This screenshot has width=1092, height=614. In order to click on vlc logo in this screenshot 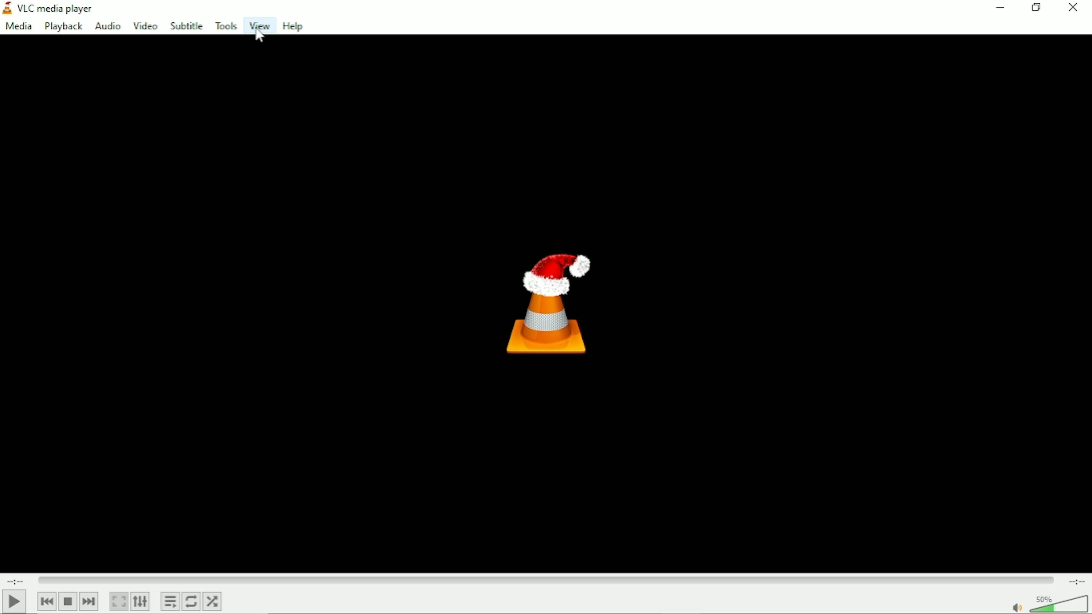, I will do `click(7, 8)`.